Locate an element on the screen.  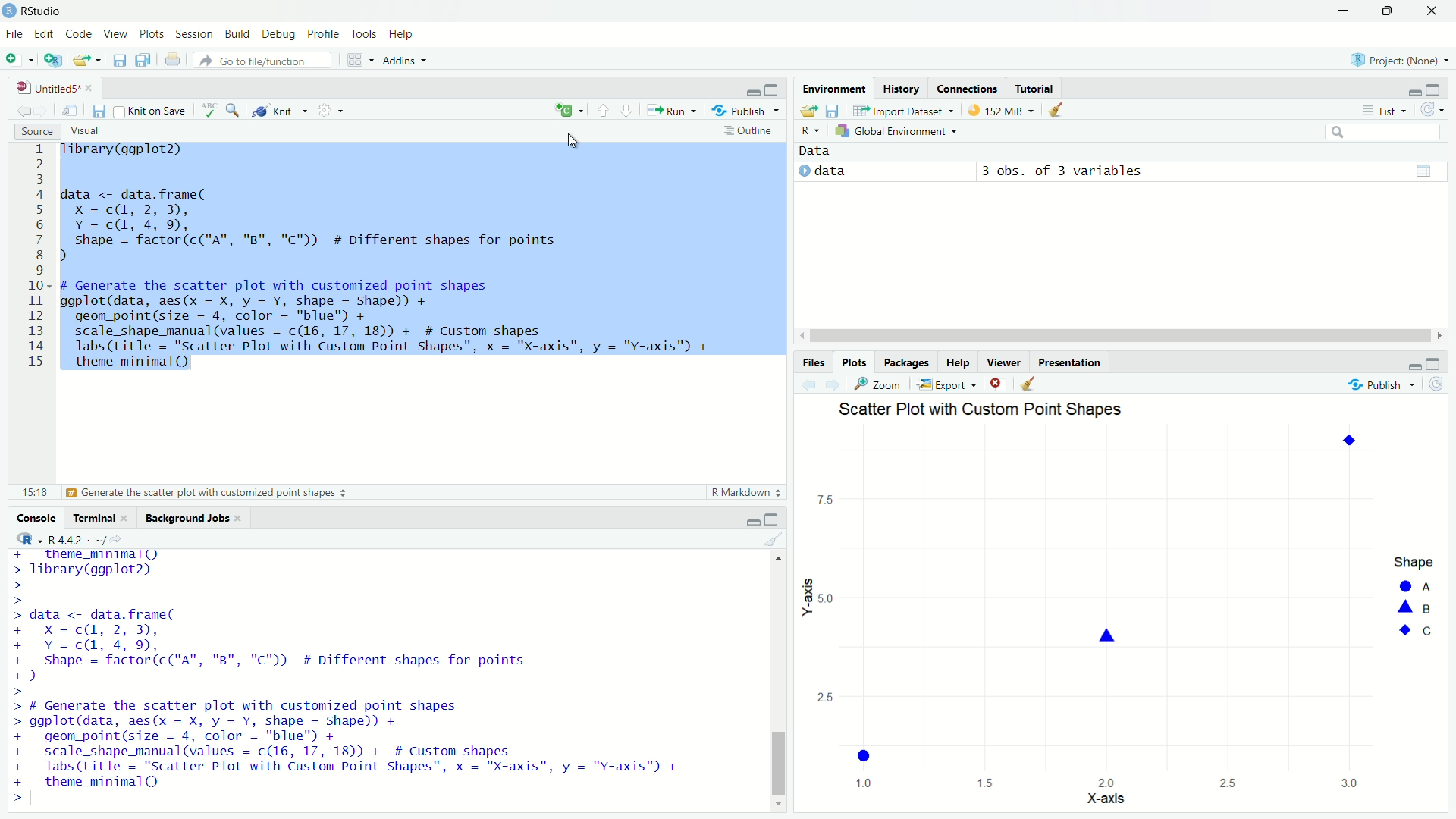
Open recent files is located at coordinates (99, 60).